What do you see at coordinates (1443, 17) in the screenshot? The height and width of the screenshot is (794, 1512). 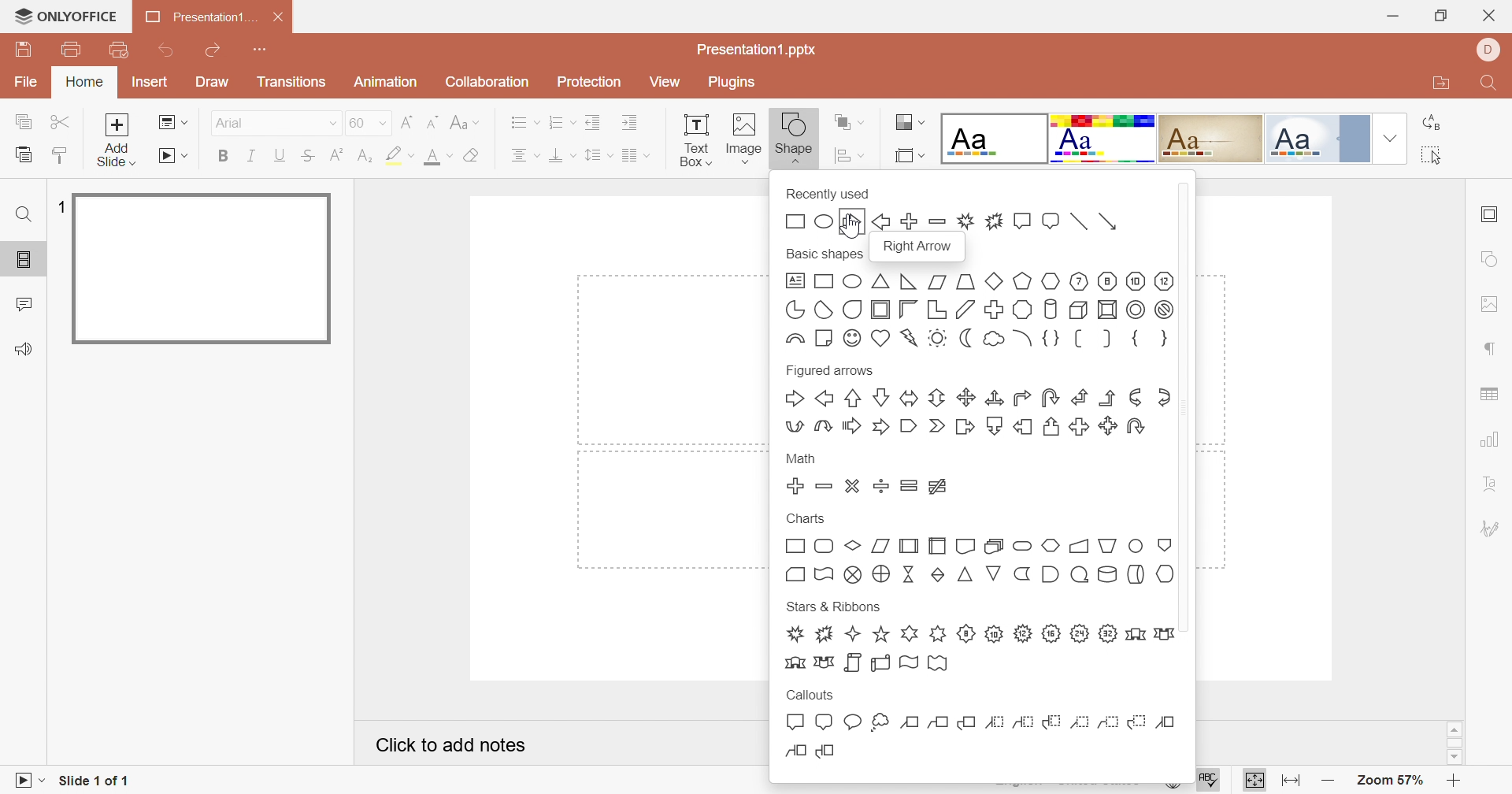 I see `Restore down` at bounding box center [1443, 17].